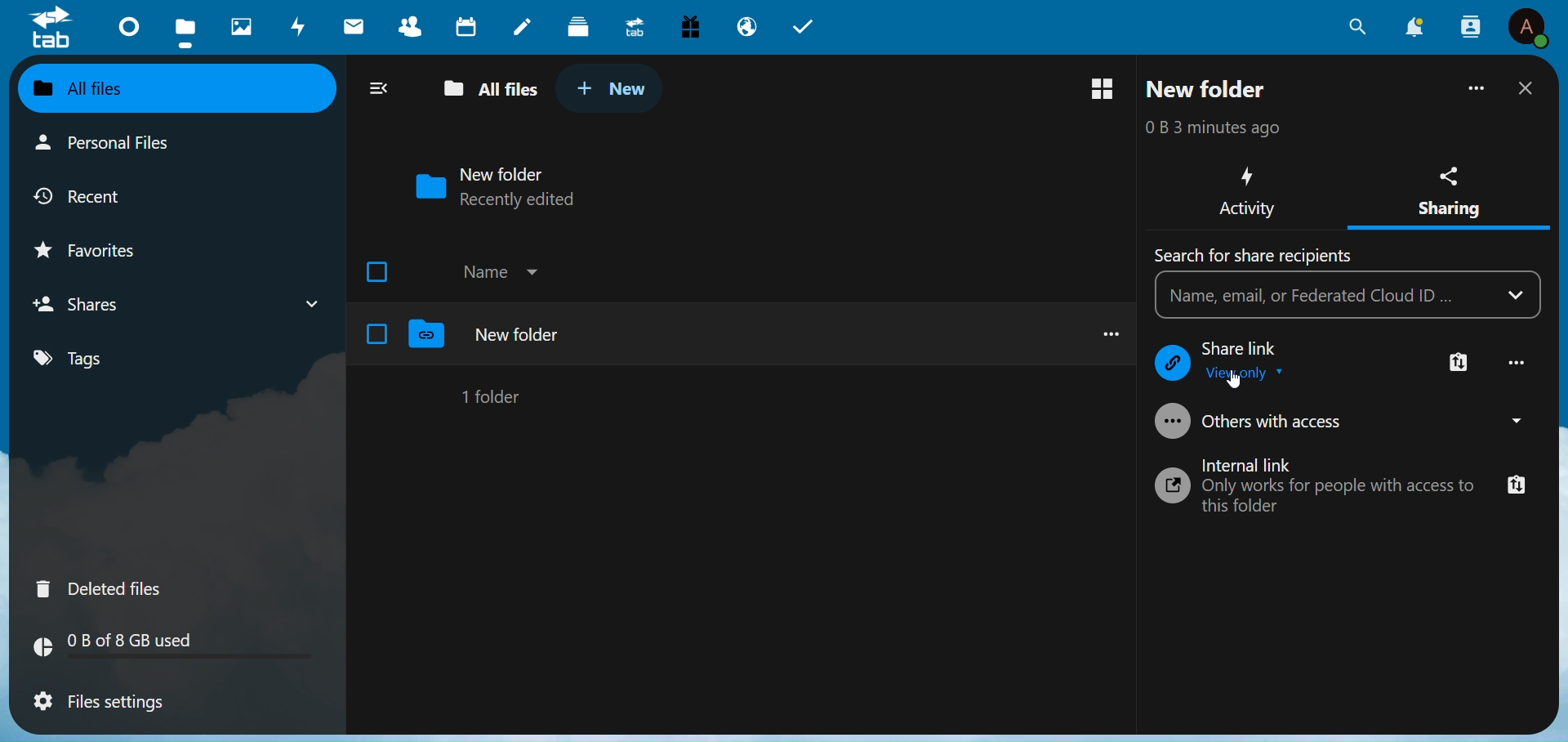 Image resolution: width=1568 pixels, height=742 pixels. I want to click on Calendar, so click(467, 26).